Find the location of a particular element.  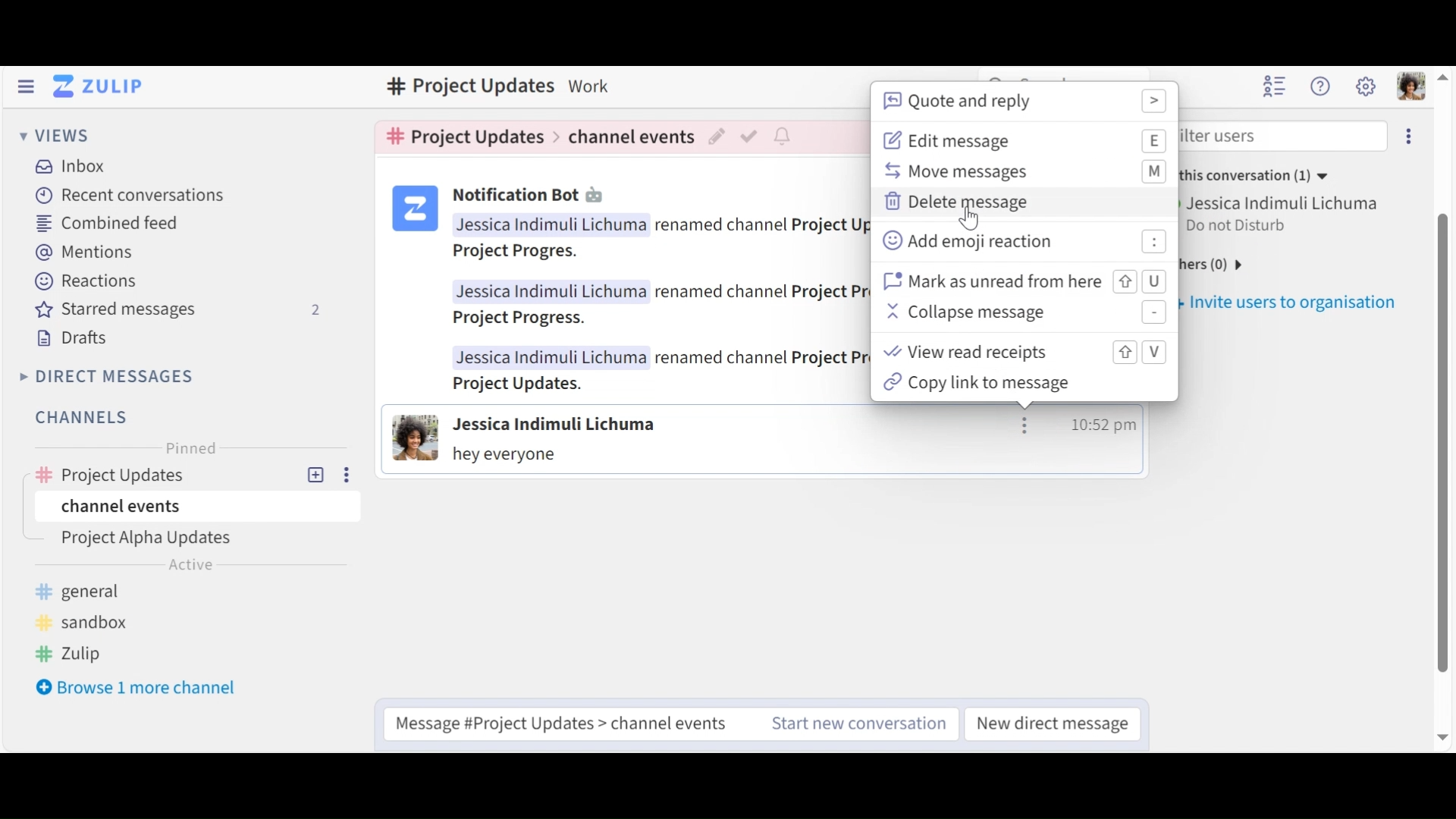

configure notification is located at coordinates (781, 136).